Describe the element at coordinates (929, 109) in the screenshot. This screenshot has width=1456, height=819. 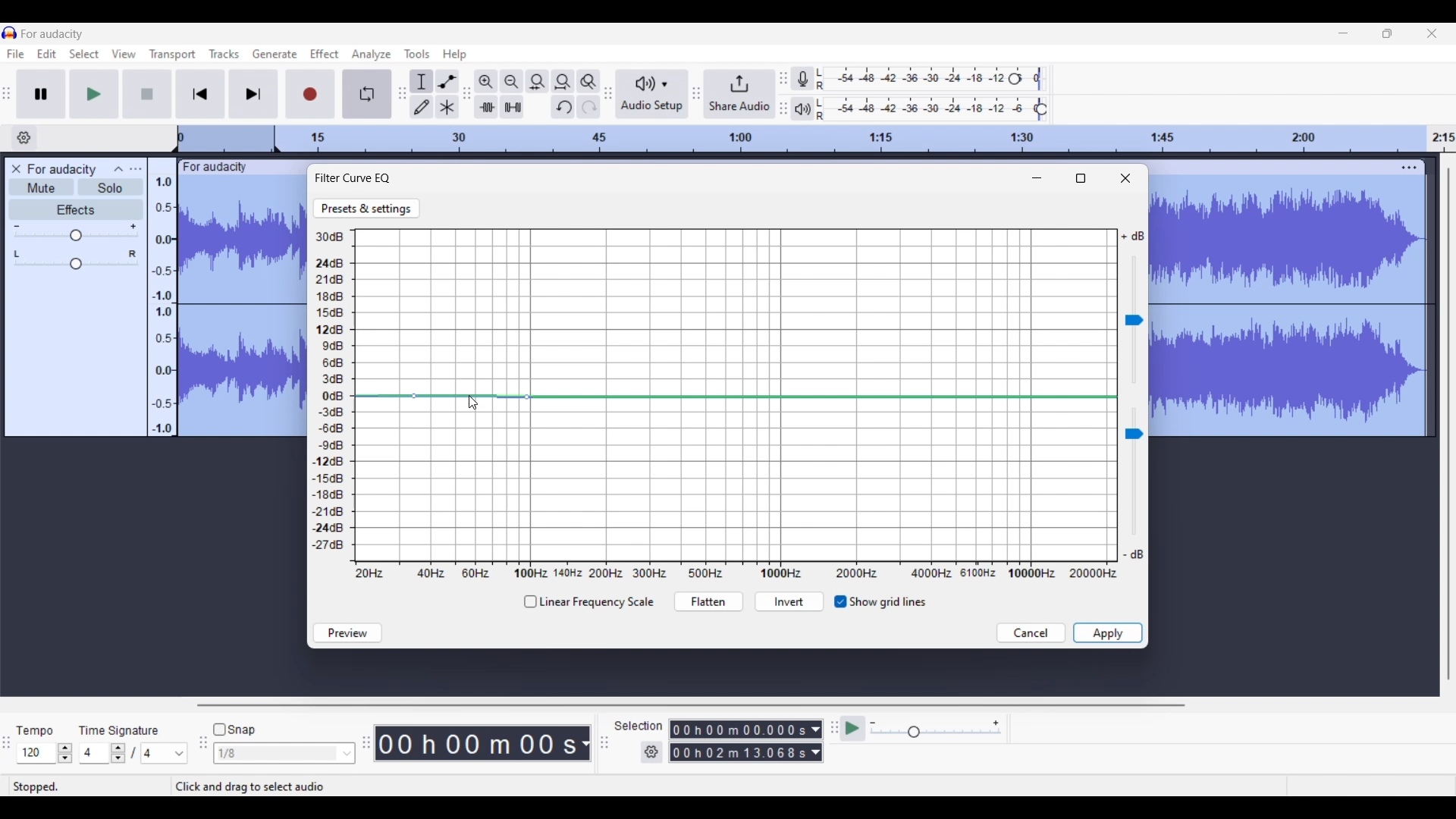
I see `Playback level` at that location.